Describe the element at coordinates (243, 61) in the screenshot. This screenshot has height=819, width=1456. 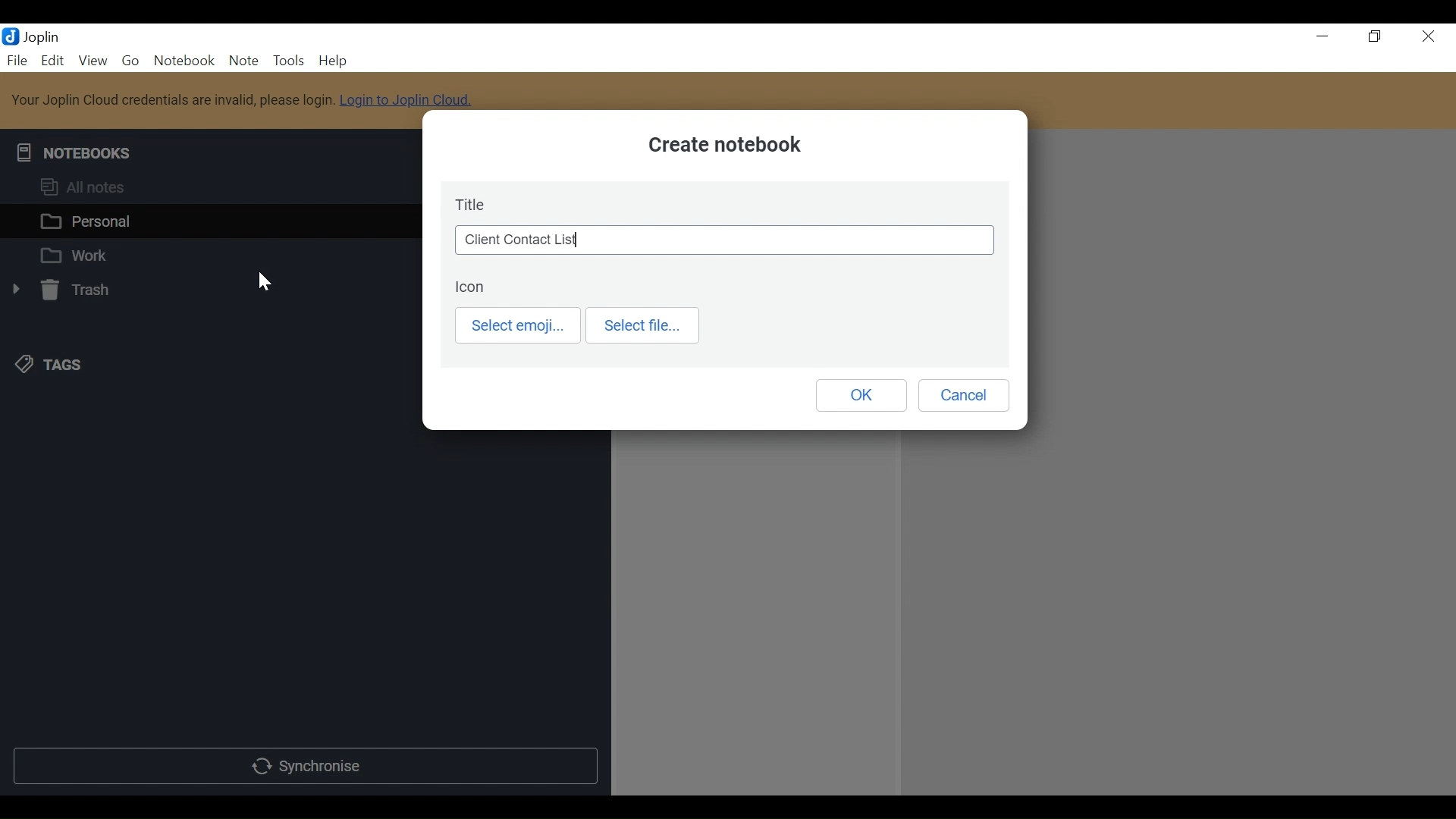
I see `Note` at that location.